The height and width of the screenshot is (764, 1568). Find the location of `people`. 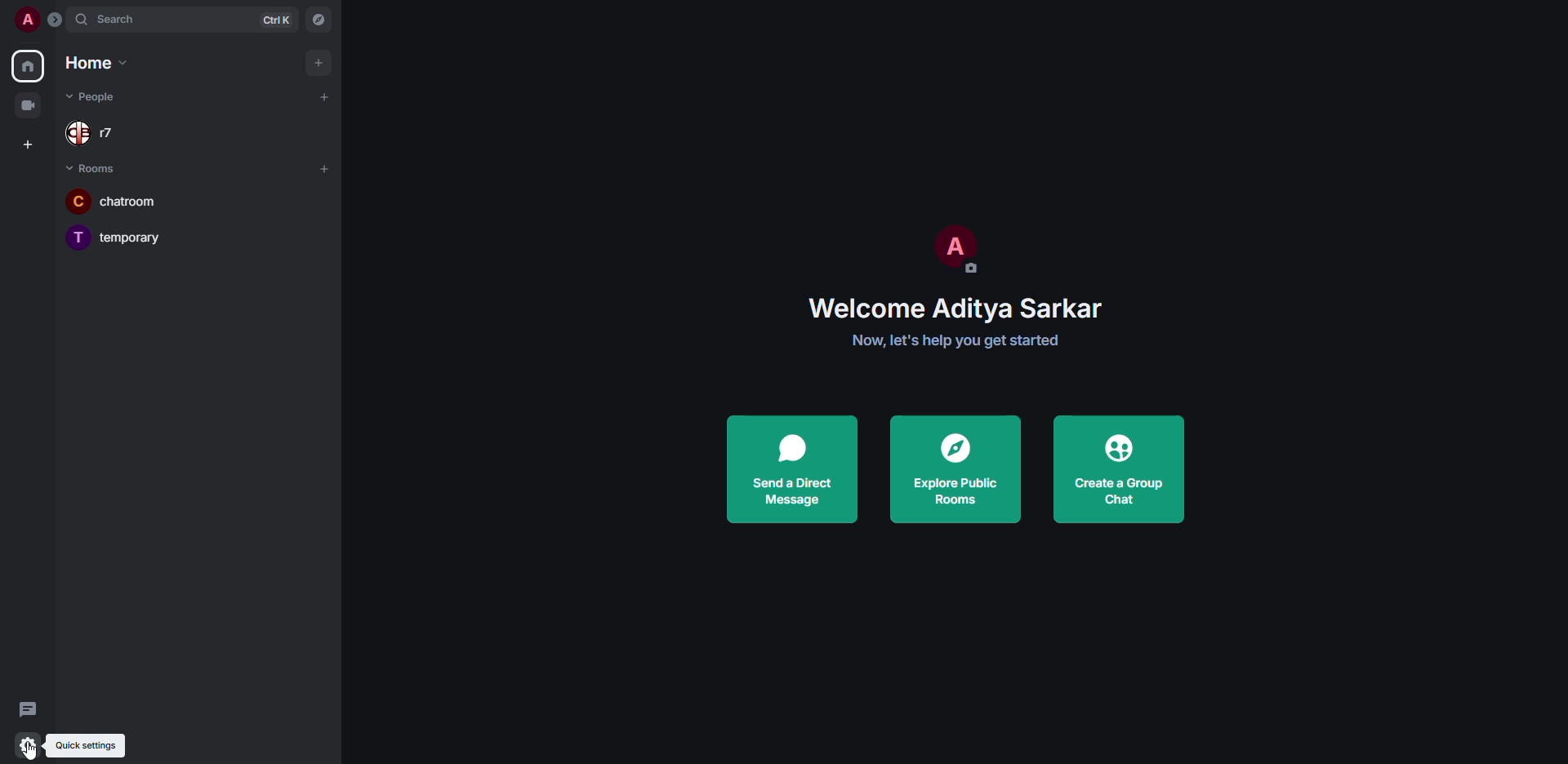

people is located at coordinates (104, 96).